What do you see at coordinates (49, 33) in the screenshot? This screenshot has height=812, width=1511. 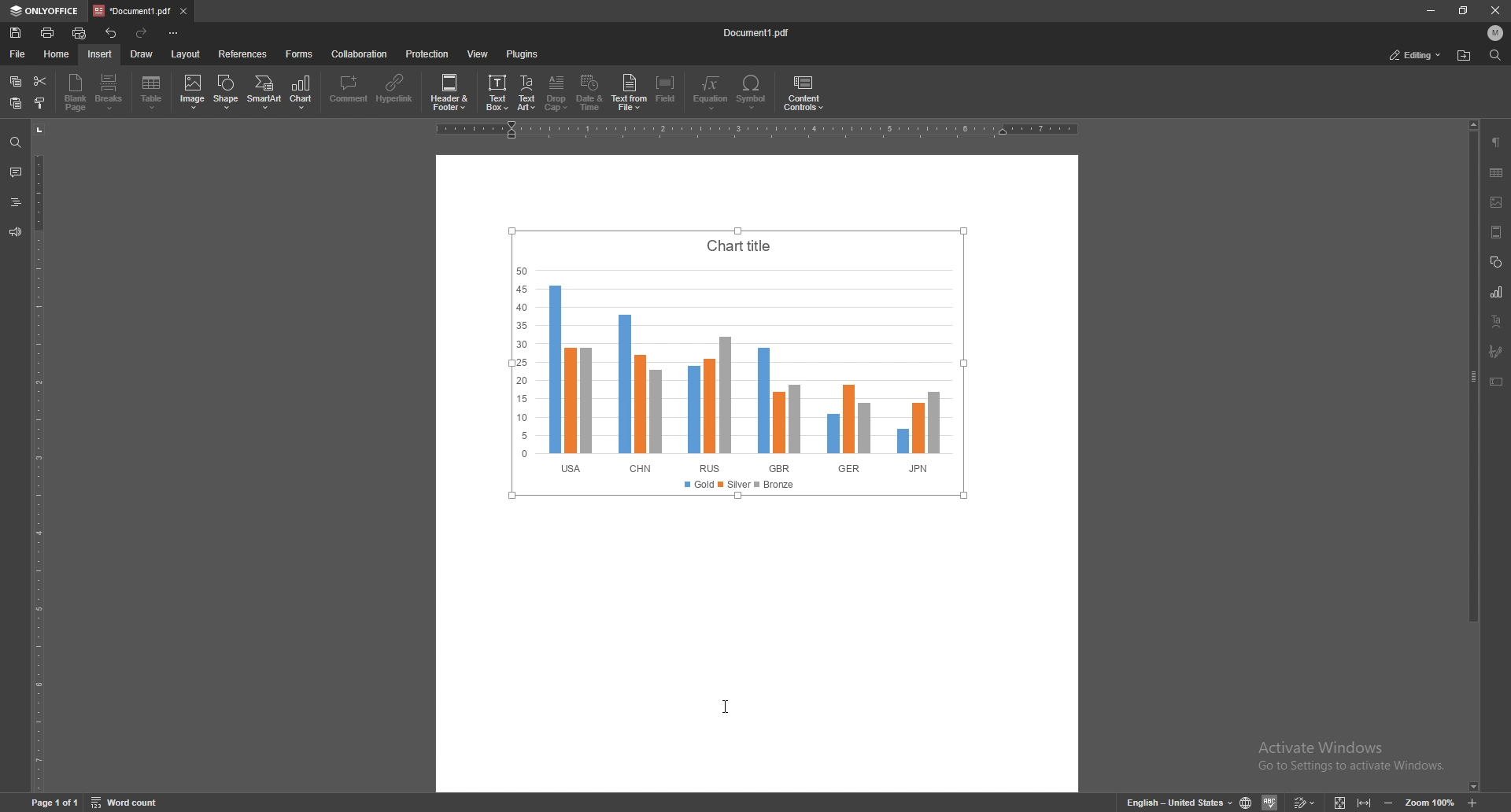 I see `print` at bounding box center [49, 33].